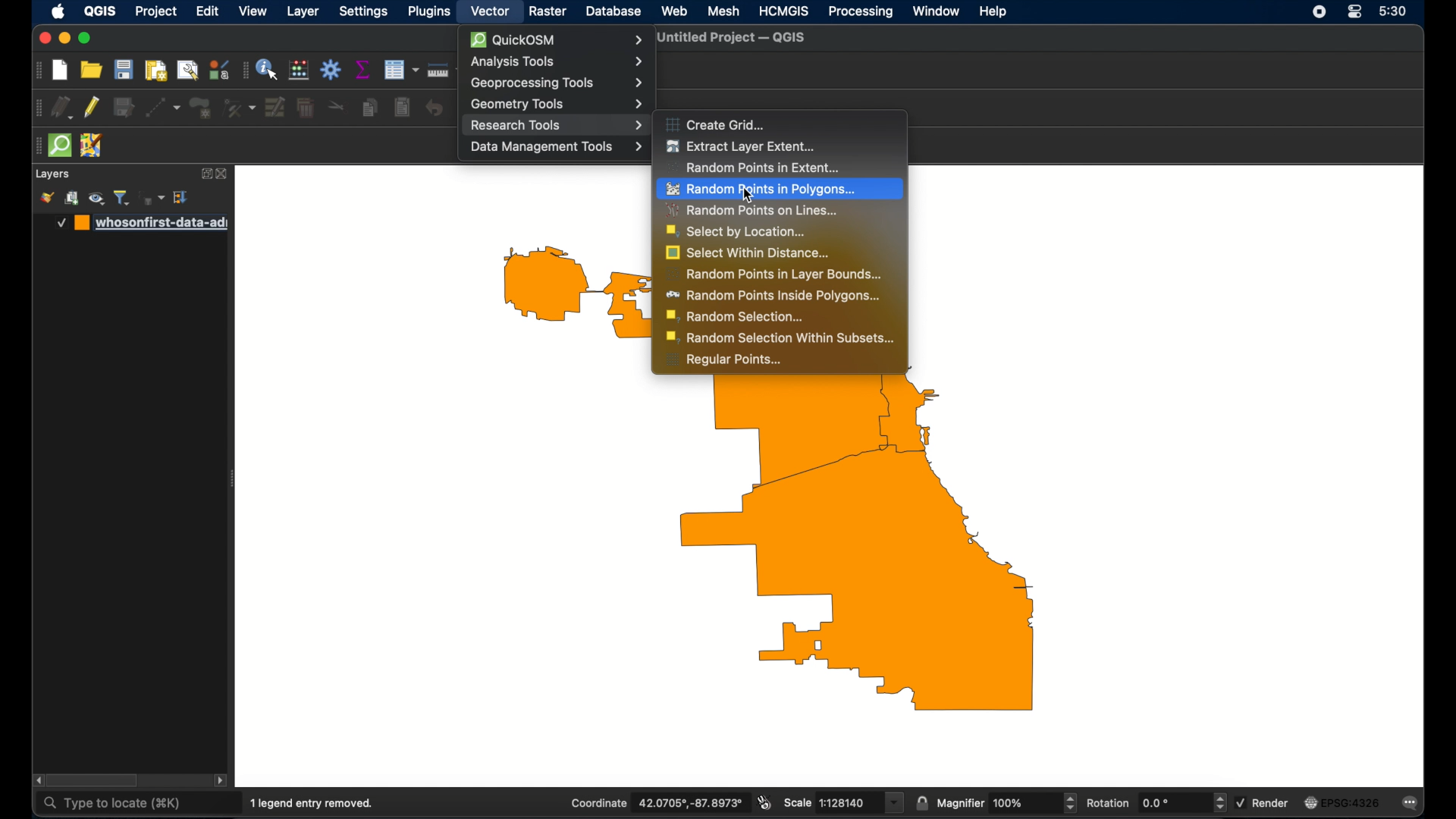 The width and height of the screenshot is (1456, 819). What do you see at coordinates (734, 38) in the screenshot?
I see `untitled project` at bounding box center [734, 38].